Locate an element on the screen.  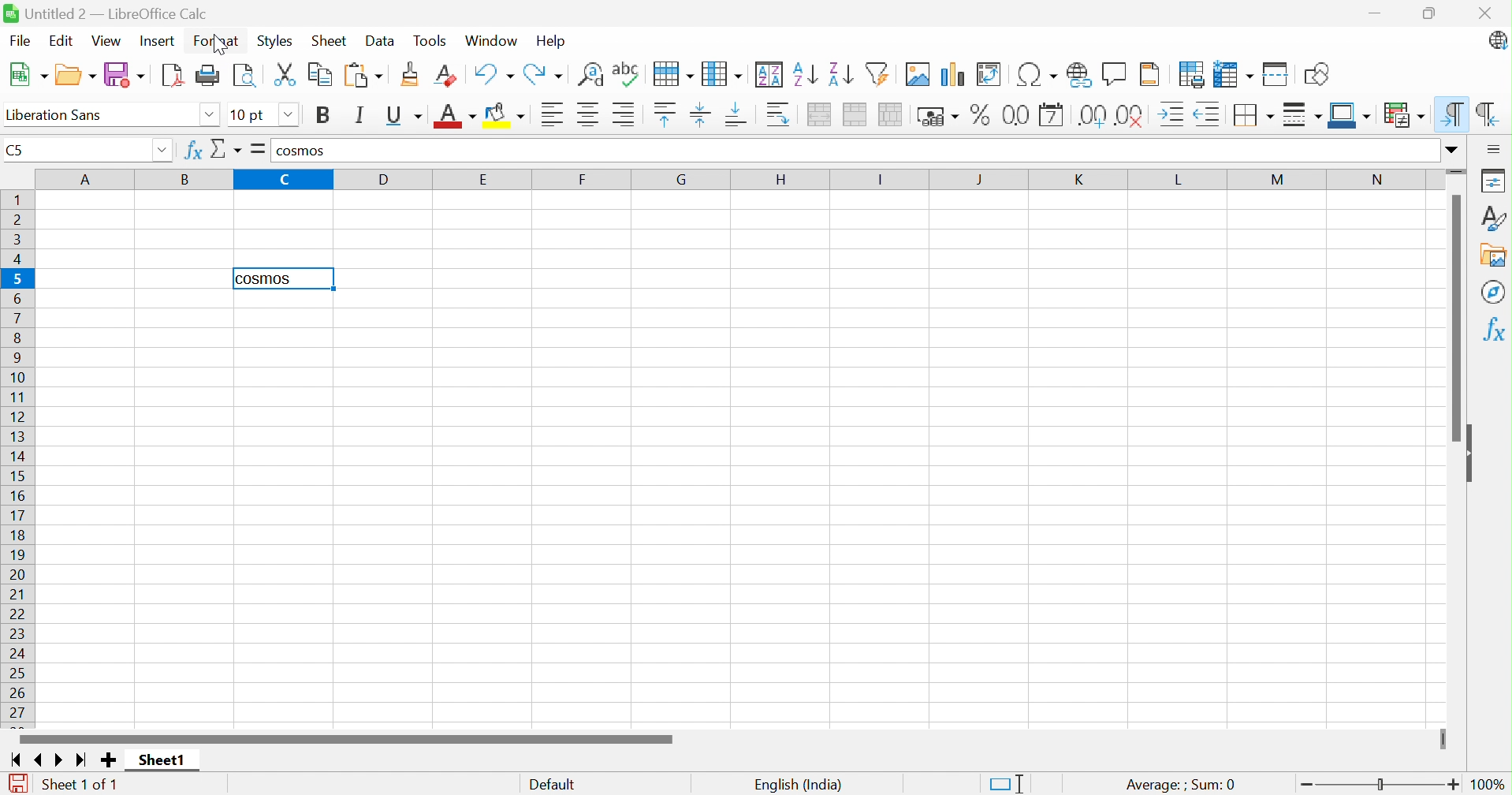
Save is located at coordinates (124, 74).